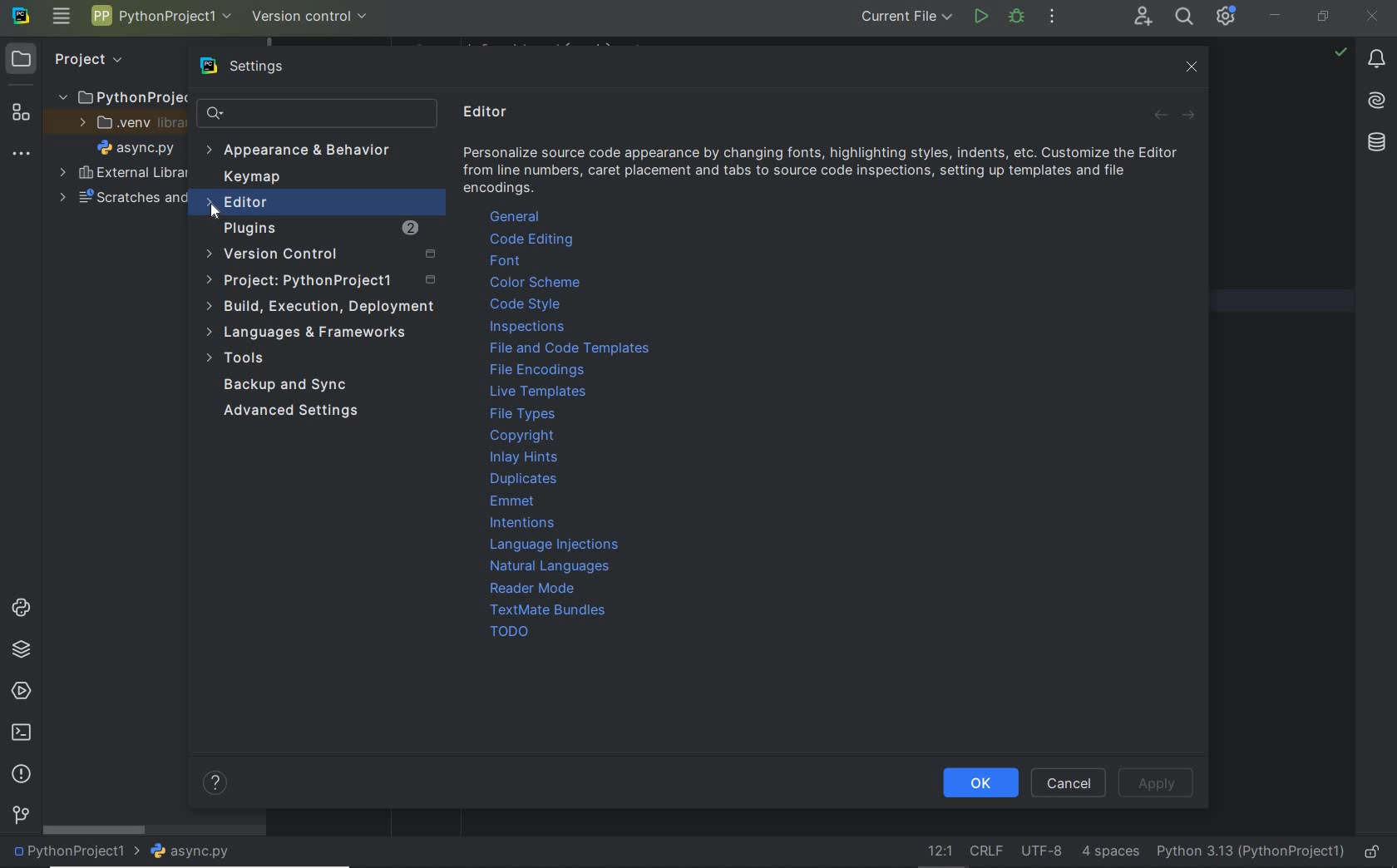 This screenshot has width=1397, height=868. What do you see at coordinates (1375, 141) in the screenshot?
I see `Database` at bounding box center [1375, 141].